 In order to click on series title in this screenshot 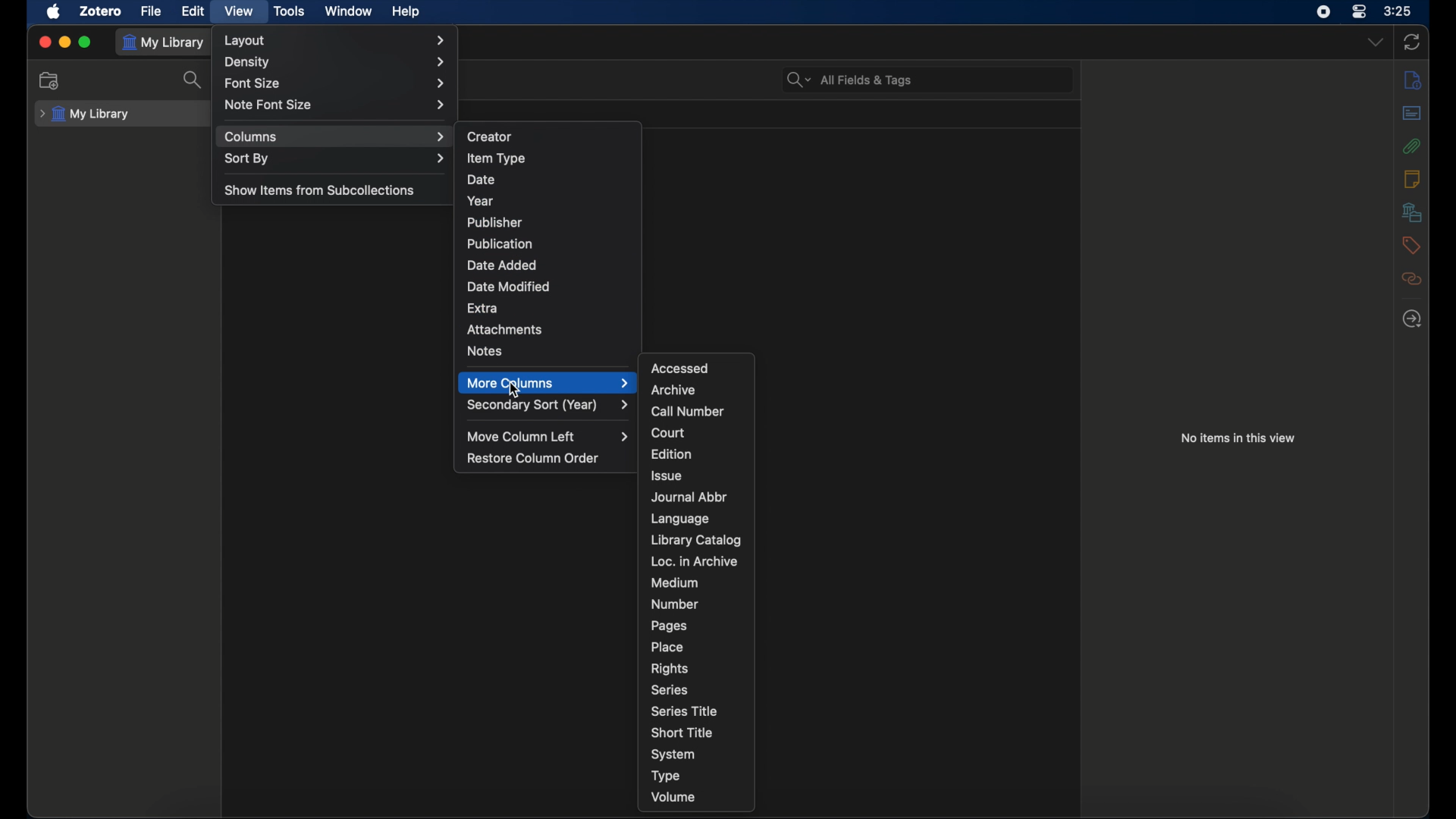, I will do `click(684, 711)`.